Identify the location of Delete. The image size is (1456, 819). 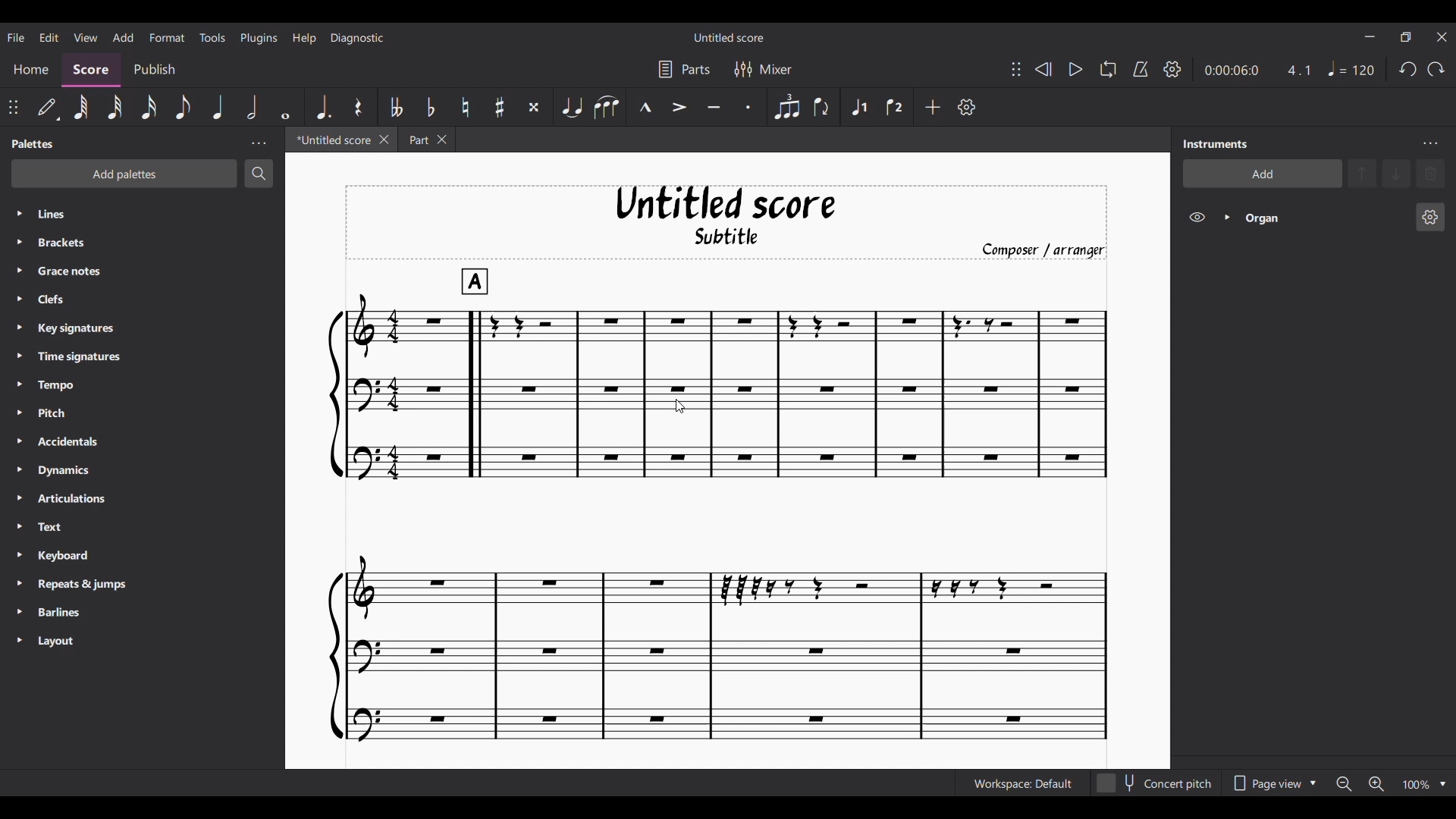
(1430, 174).